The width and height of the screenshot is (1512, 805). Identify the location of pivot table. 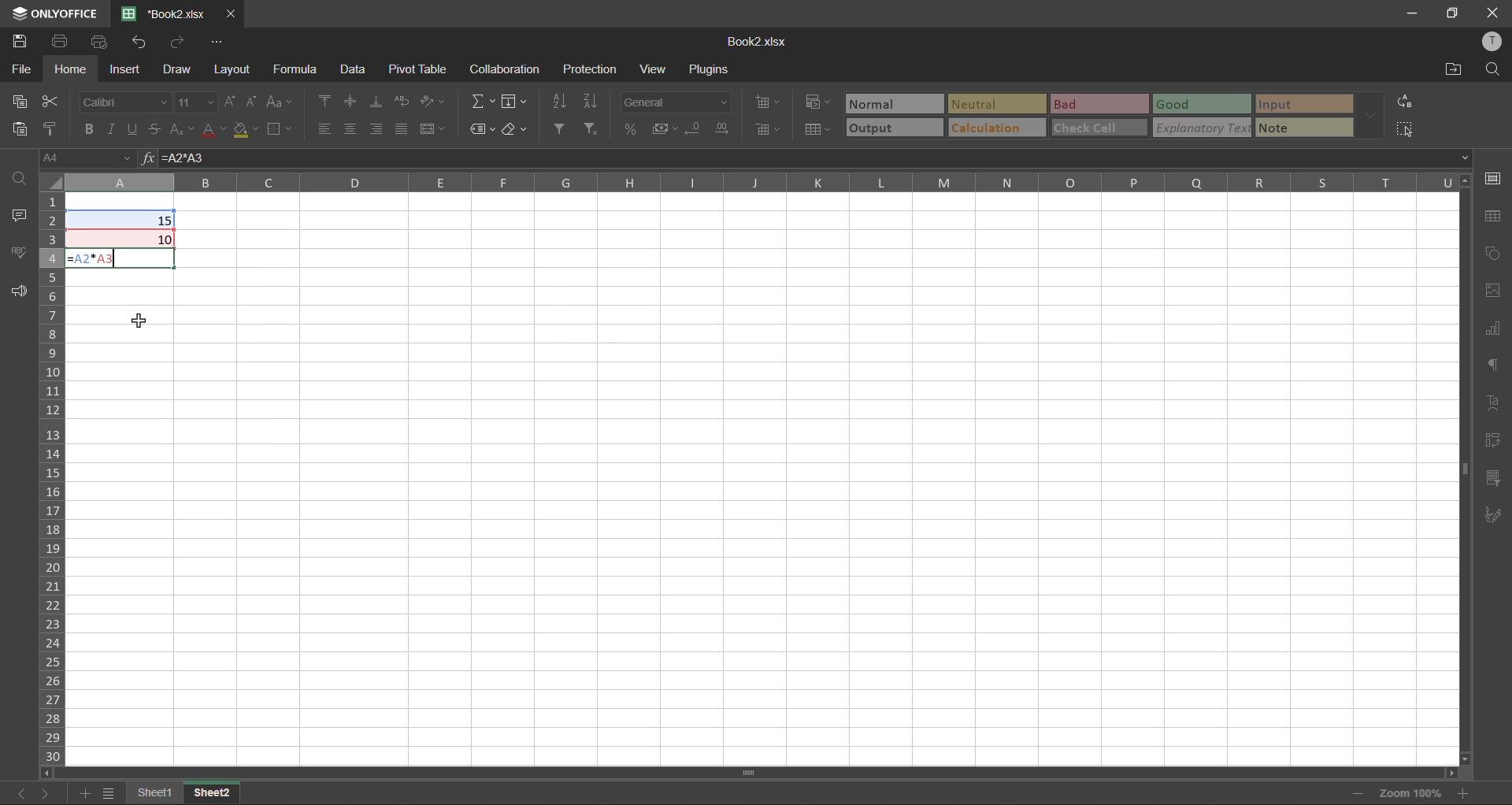
(1495, 442).